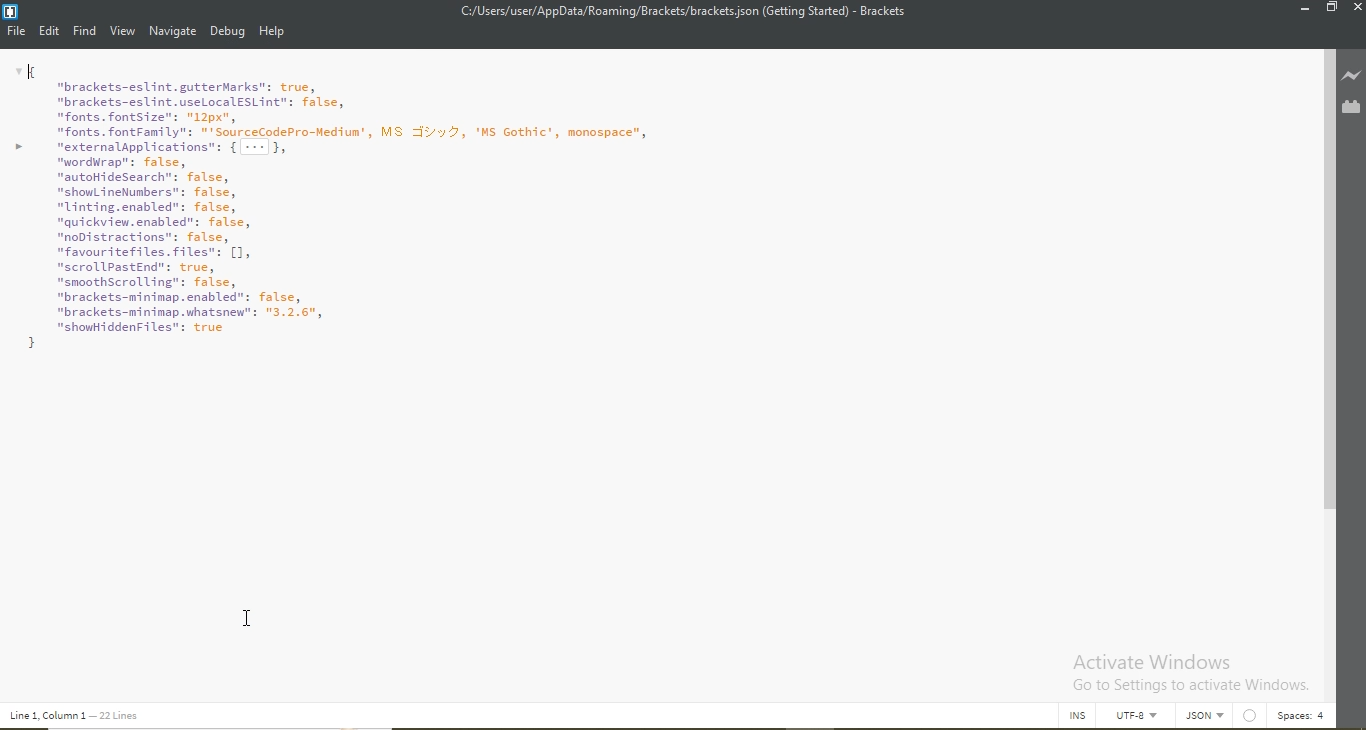  Describe the element at coordinates (1188, 672) in the screenshot. I see `Activate Windows` at that location.